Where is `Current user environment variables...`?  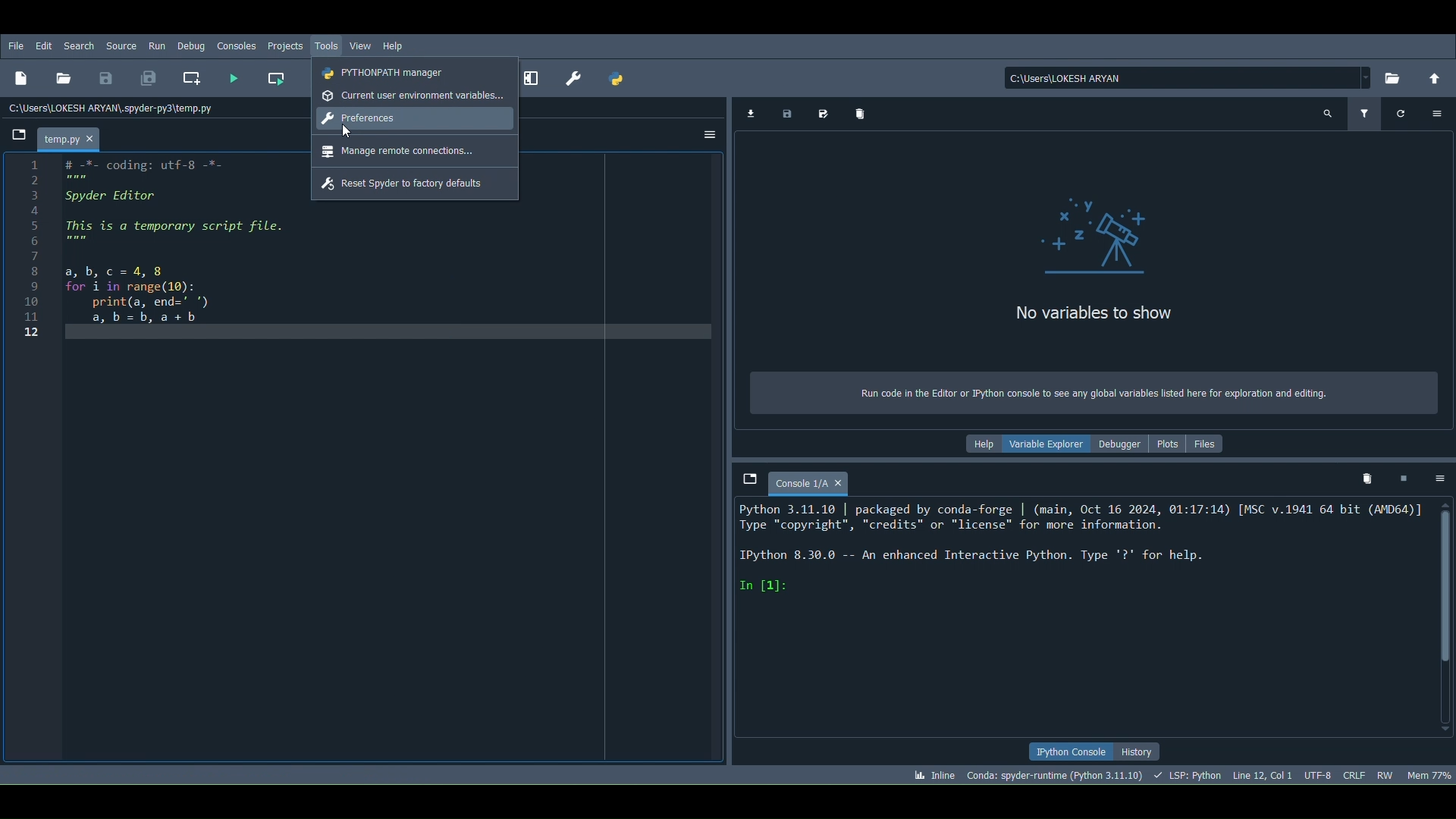
Current user environment variables... is located at coordinates (409, 94).